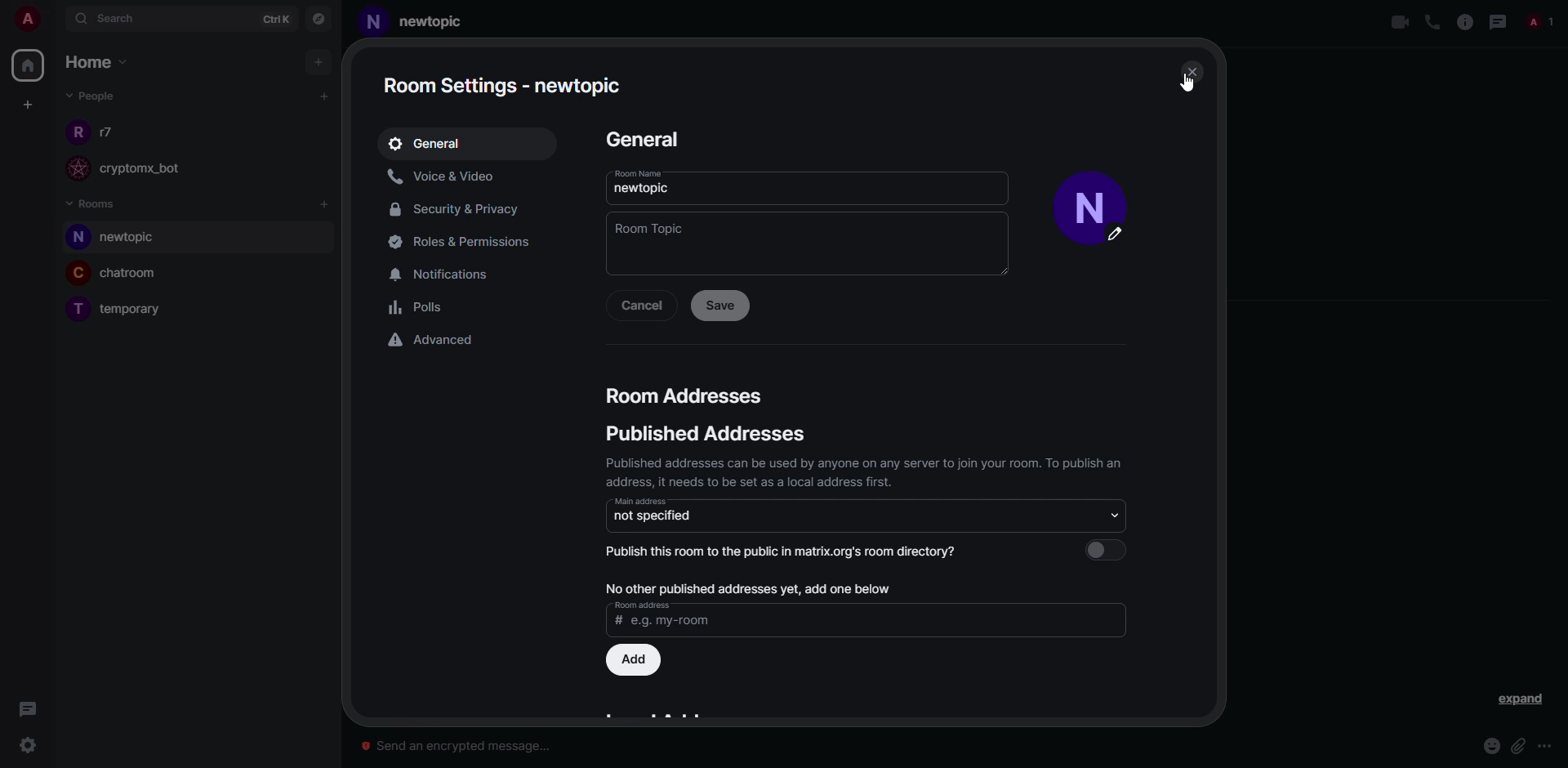 This screenshot has width=1568, height=768. I want to click on notifications, so click(448, 273).